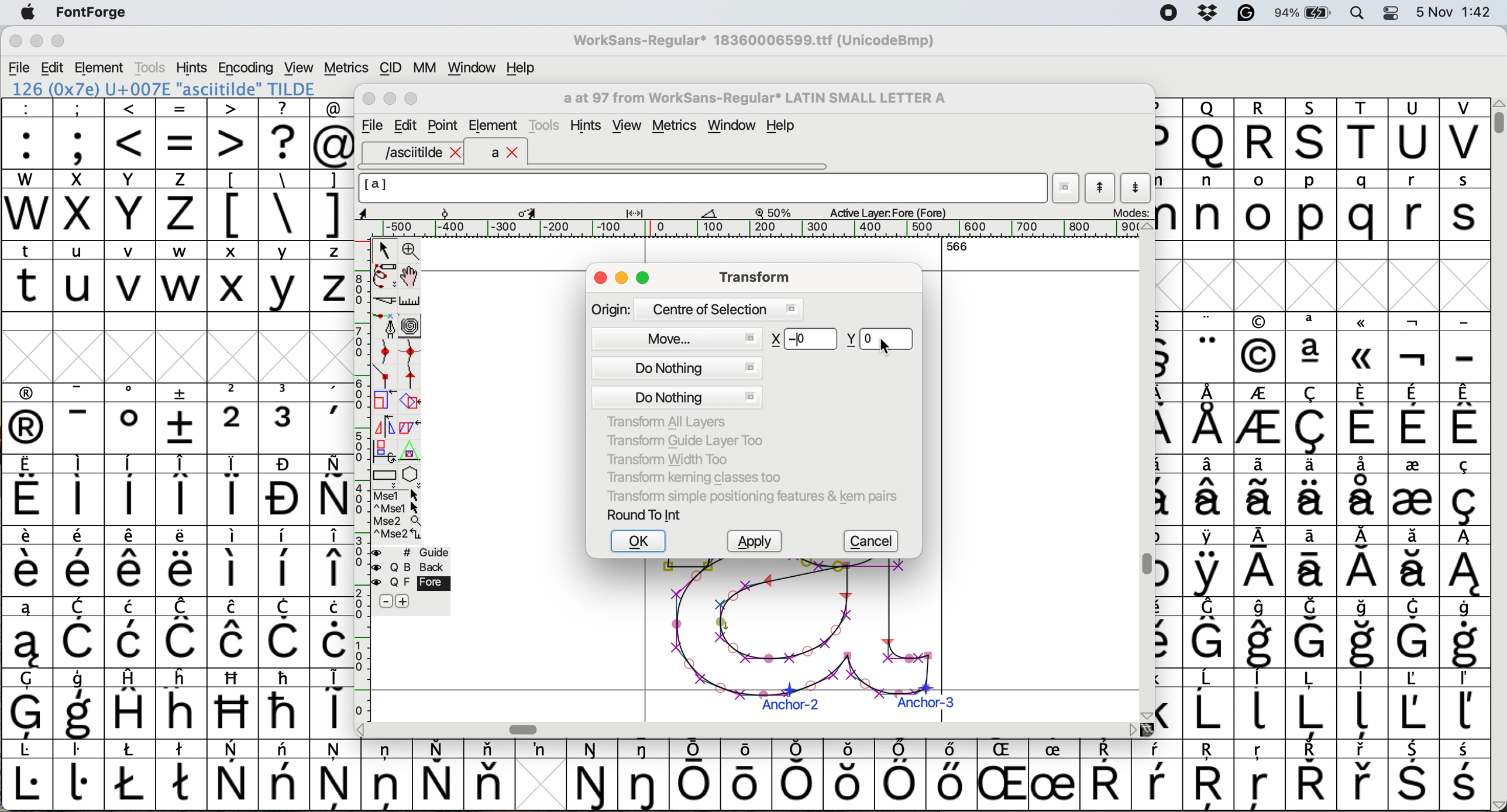  I want to click on symbol, so click(1261, 421).